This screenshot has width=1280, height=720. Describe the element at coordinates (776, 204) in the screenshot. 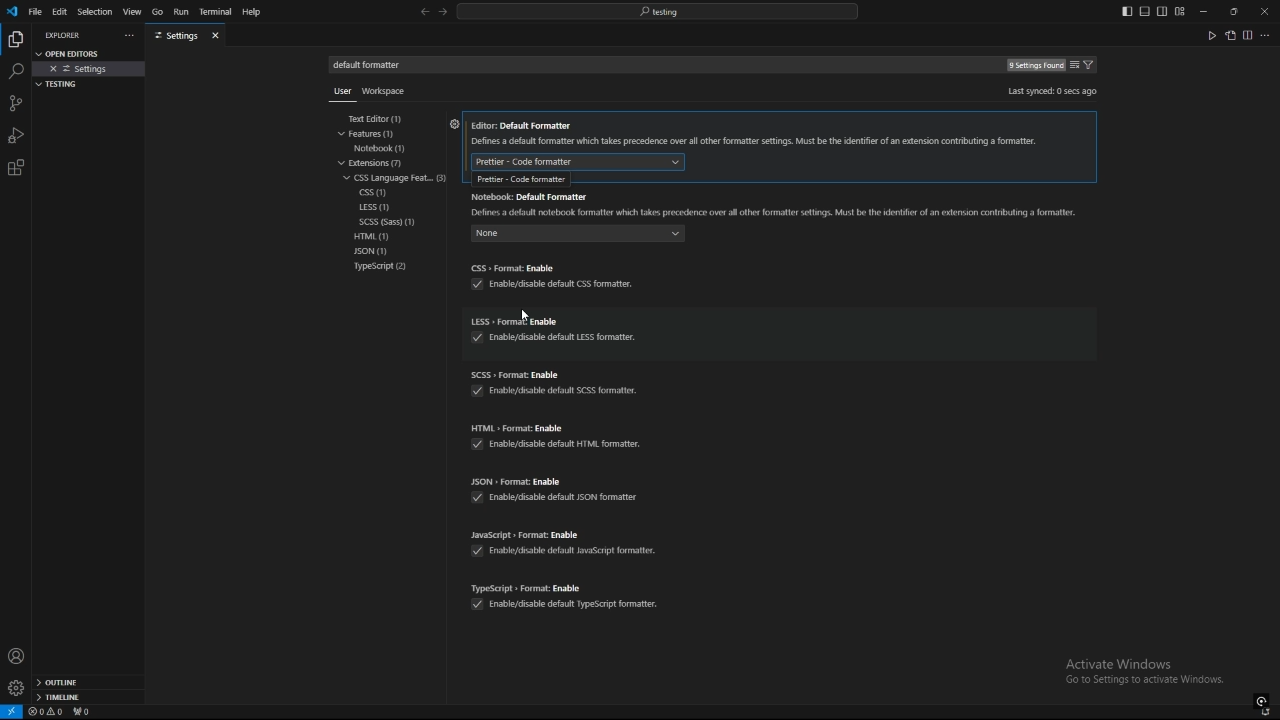

I see `notebook default formatter` at that location.